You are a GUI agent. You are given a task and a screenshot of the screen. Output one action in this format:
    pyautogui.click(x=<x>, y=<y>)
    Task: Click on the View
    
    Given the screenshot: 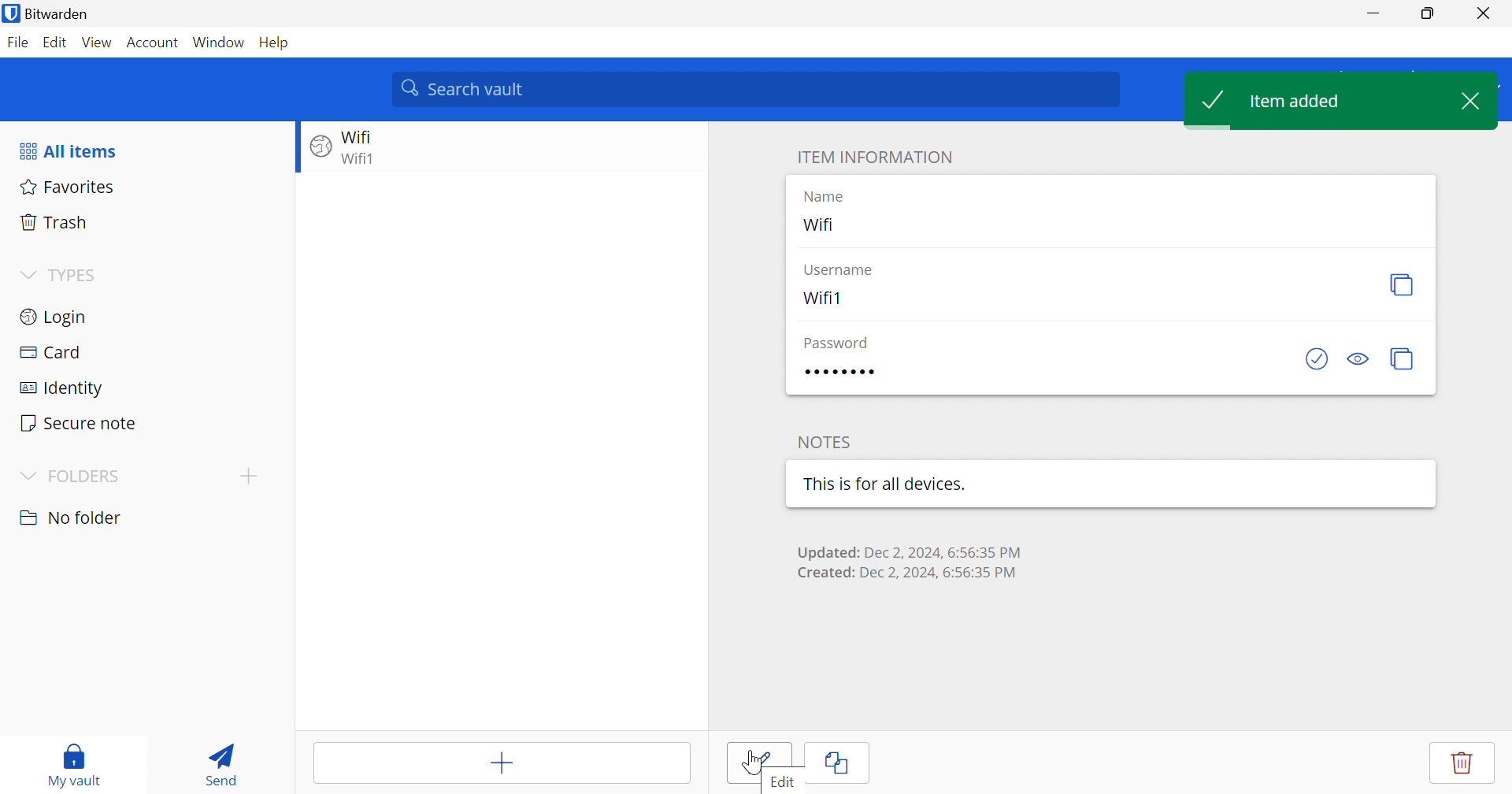 What is the action you would take?
    pyautogui.click(x=96, y=42)
    